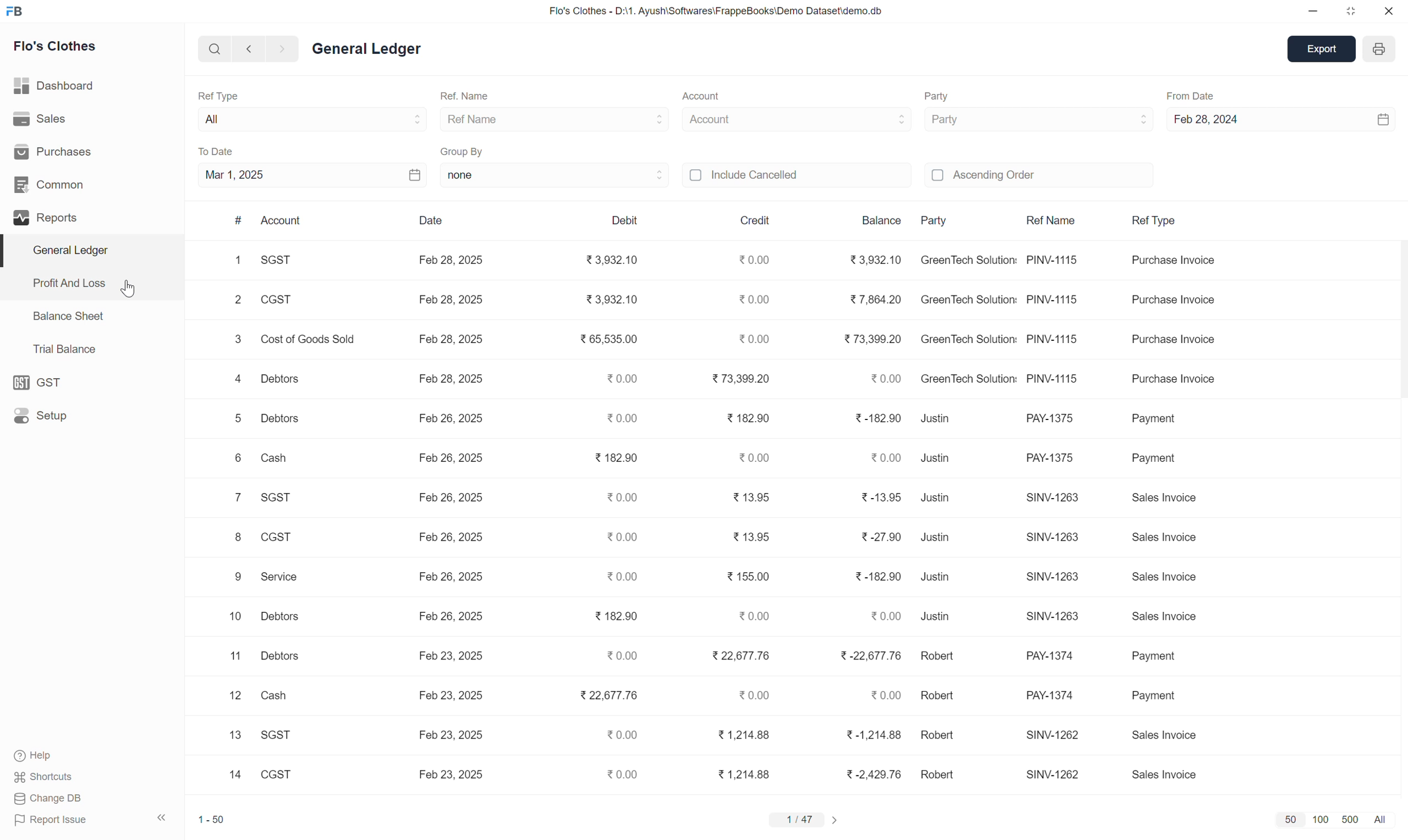 This screenshot has height=840, width=1408. Describe the element at coordinates (617, 383) in the screenshot. I see `₹0.00` at that location.